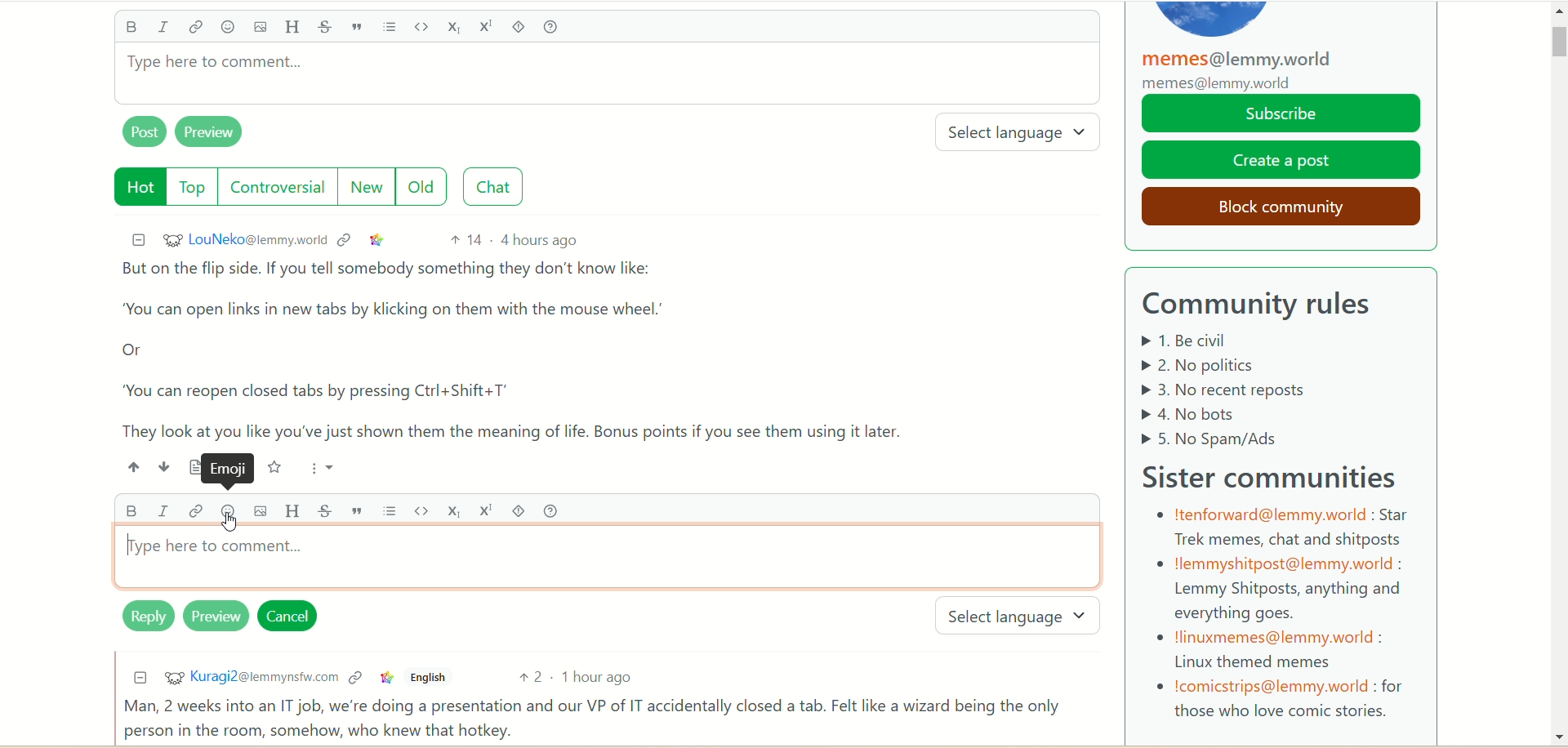 The width and height of the screenshot is (1568, 748). What do you see at coordinates (1268, 305) in the screenshot?
I see `community rules` at bounding box center [1268, 305].